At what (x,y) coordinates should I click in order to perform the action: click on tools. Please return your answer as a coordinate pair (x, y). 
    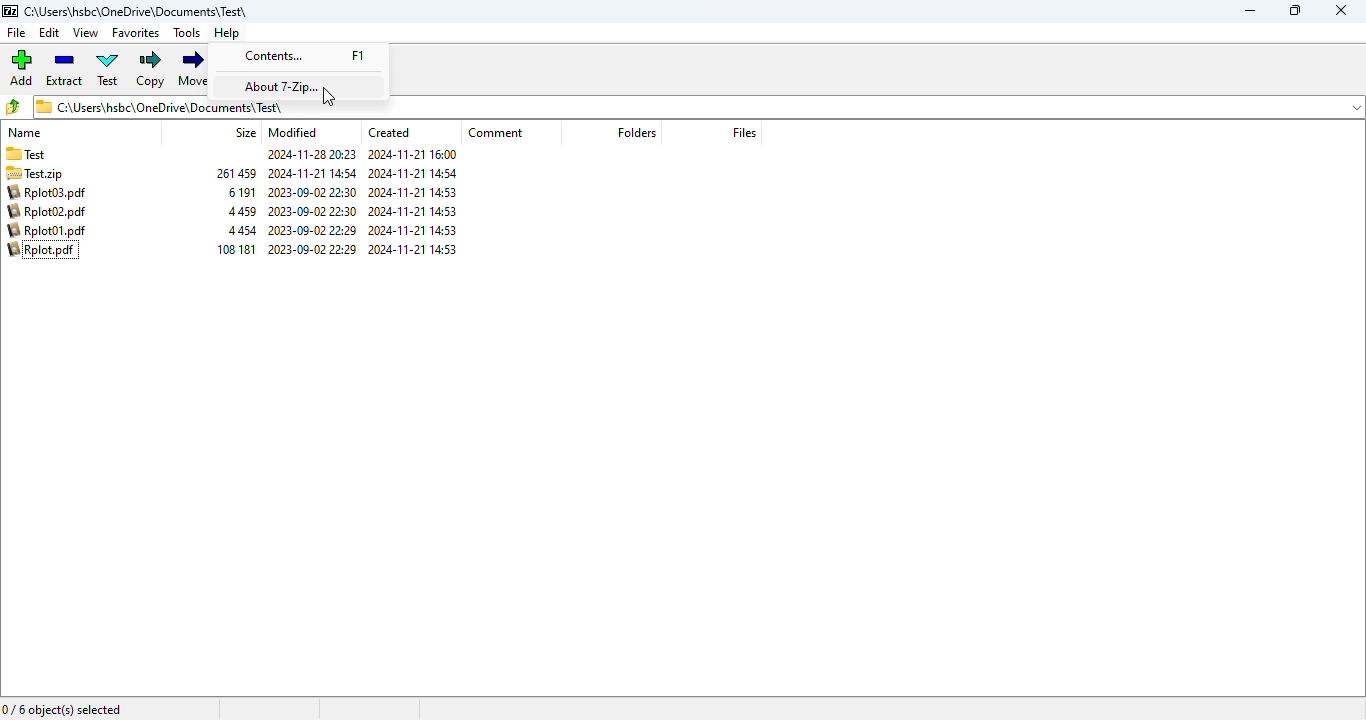
    Looking at the image, I should click on (187, 33).